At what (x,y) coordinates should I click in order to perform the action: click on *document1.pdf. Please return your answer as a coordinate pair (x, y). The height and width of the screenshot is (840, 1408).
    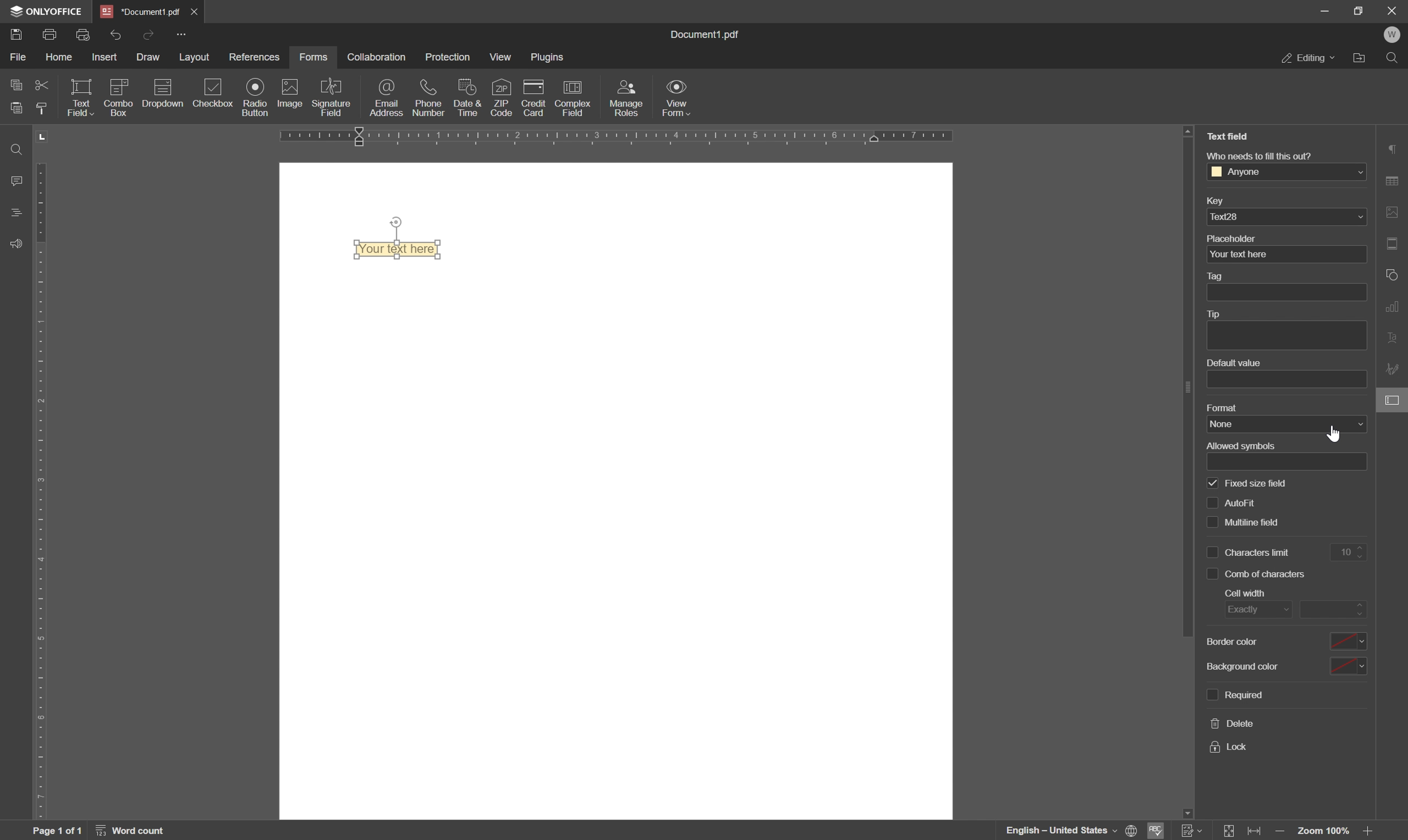
    Looking at the image, I should click on (139, 10).